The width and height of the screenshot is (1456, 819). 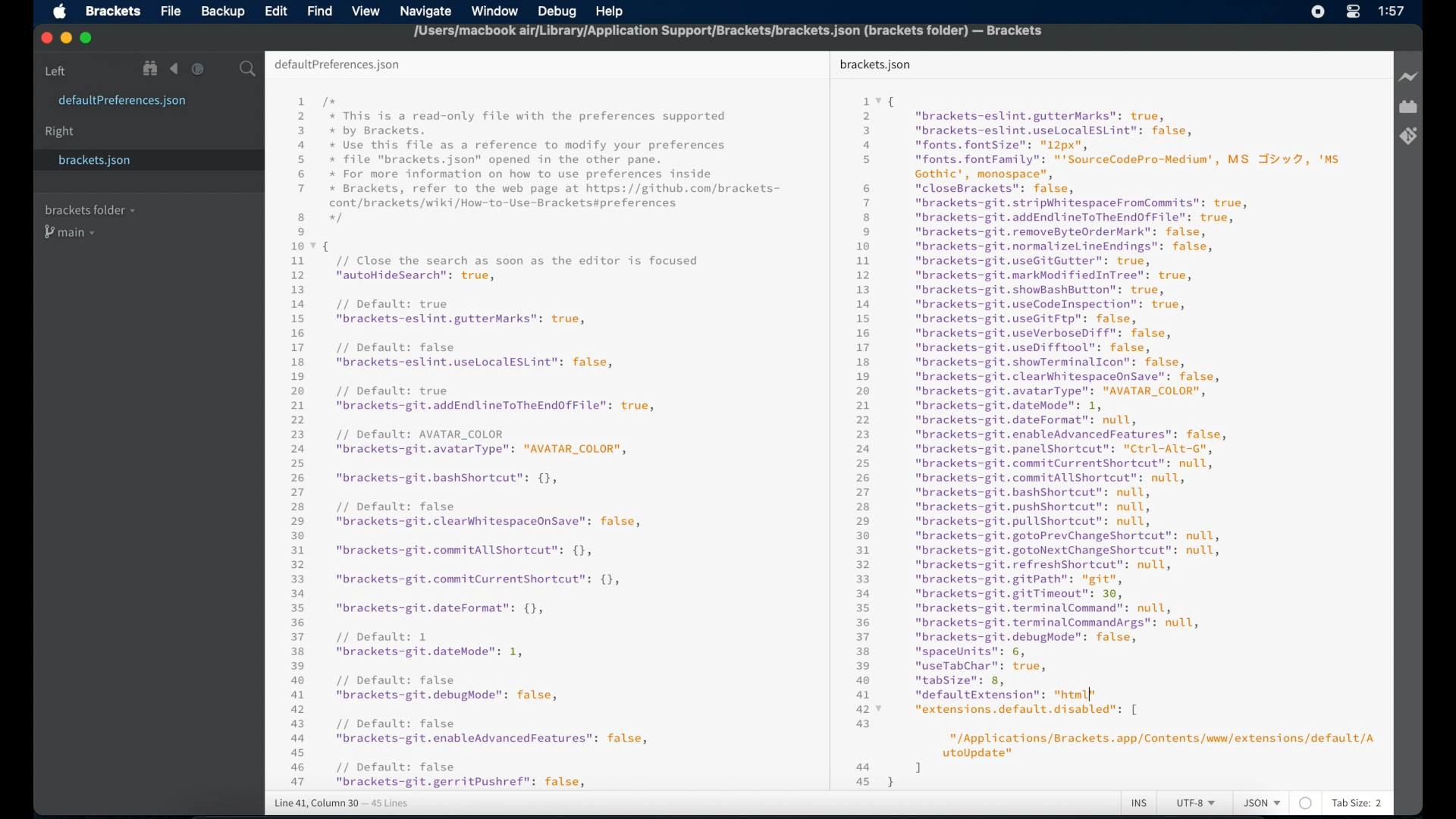 I want to click on search icon, so click(x=250, y=70).